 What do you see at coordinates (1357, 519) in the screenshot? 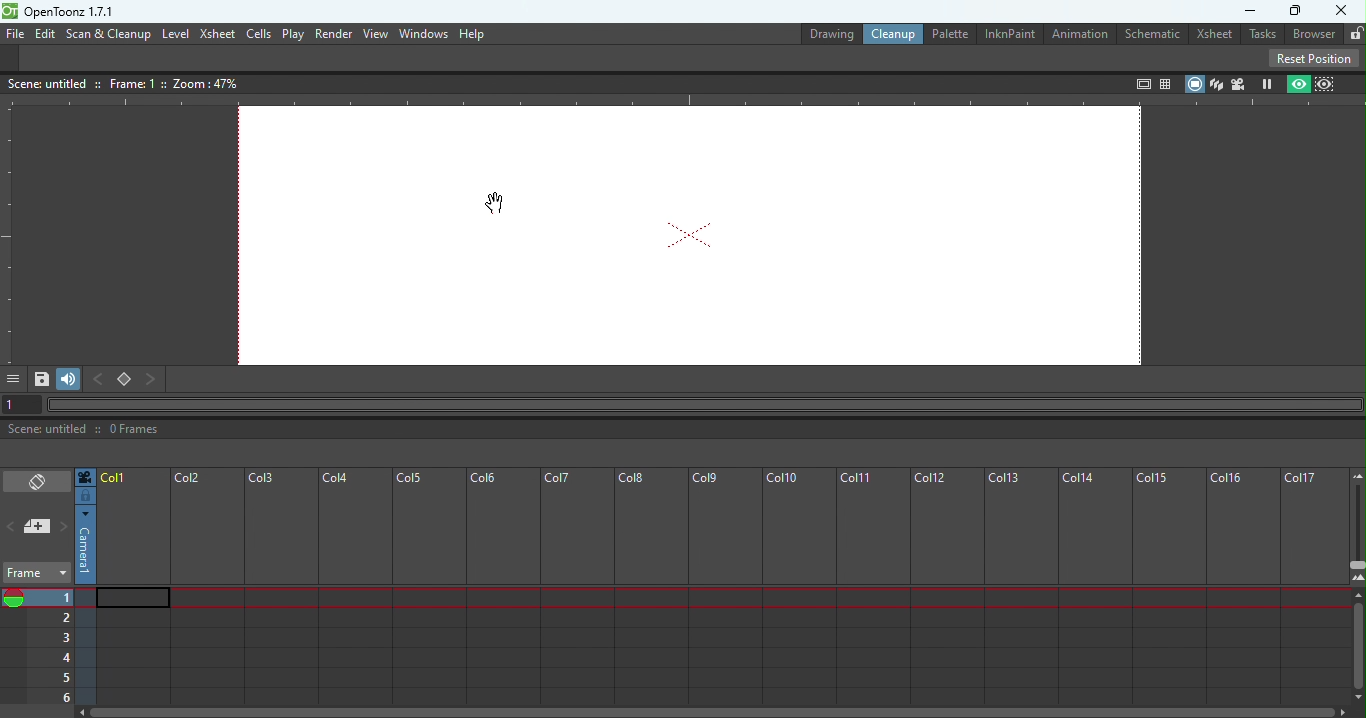
I see `Zoom in/out of Xsheet` at bounding box center [1357, 519].